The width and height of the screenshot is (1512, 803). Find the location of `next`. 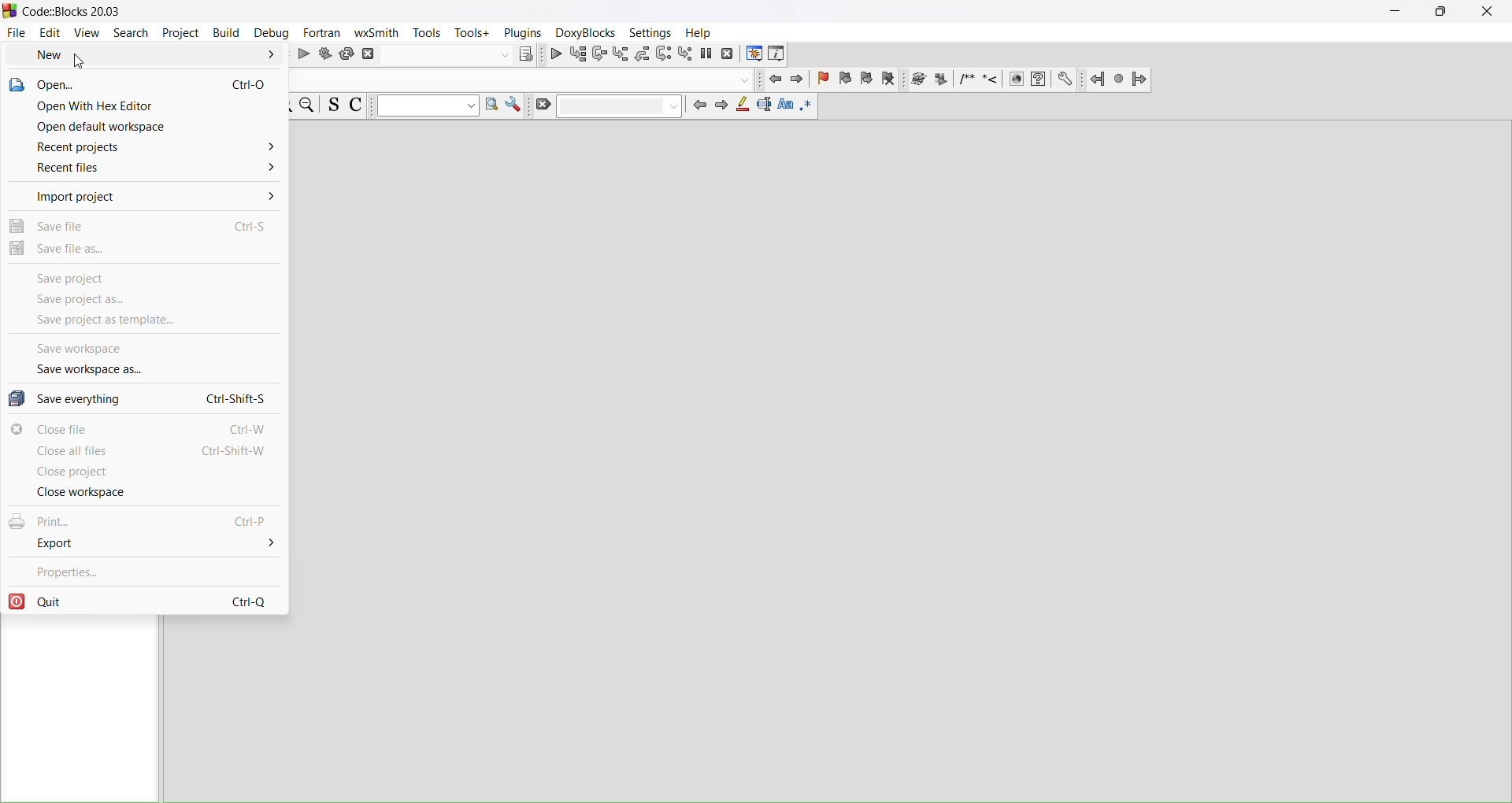

next is located at coordinates (725, 107).